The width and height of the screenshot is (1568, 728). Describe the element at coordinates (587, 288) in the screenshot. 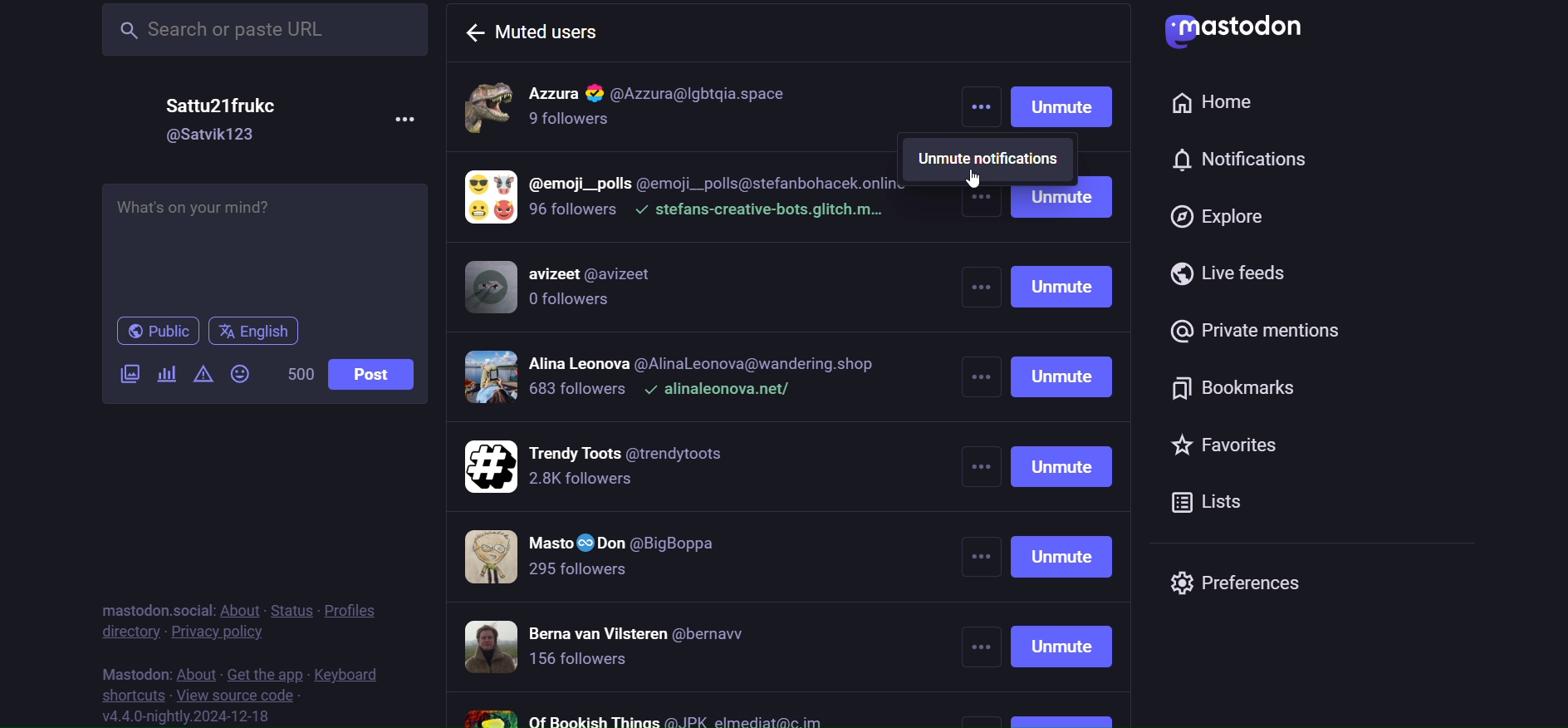

I see `muted accounts 3` at that location.